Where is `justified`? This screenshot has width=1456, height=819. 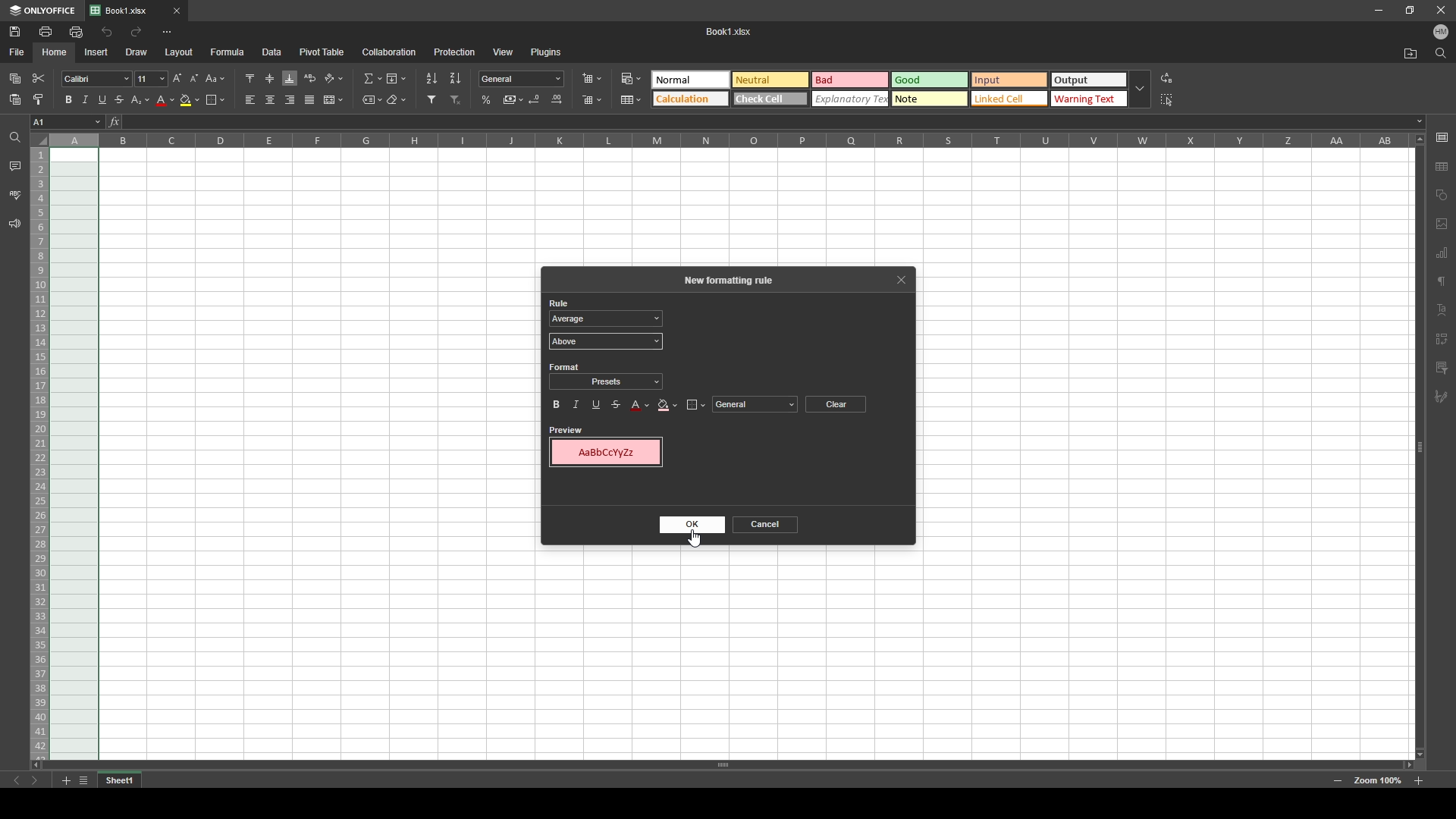 justified is located at coordinates (310, 100).